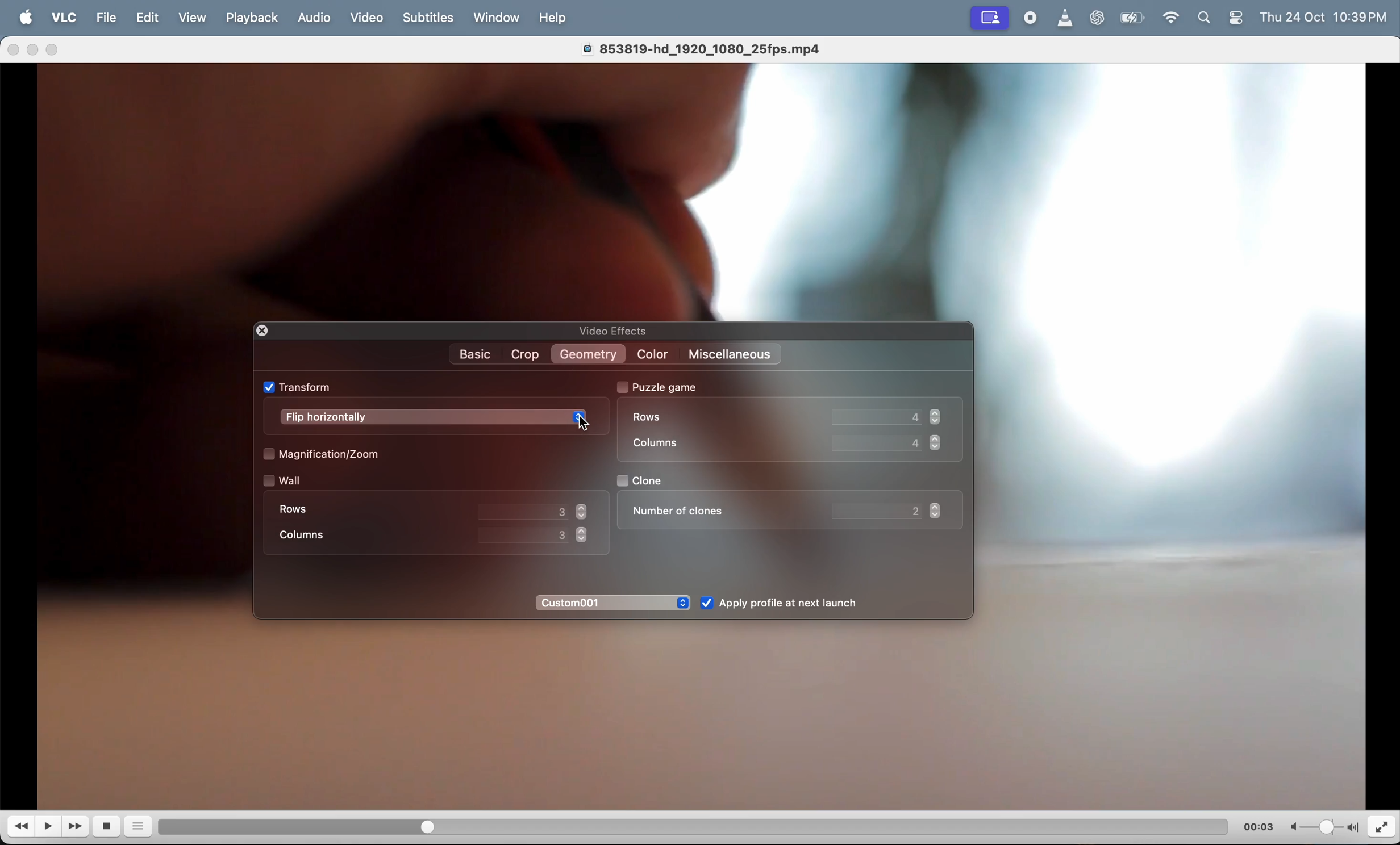  What do you see at coordinates (295, 511) in the screenshot?
I see `rows` at bounding box center [295, 511].